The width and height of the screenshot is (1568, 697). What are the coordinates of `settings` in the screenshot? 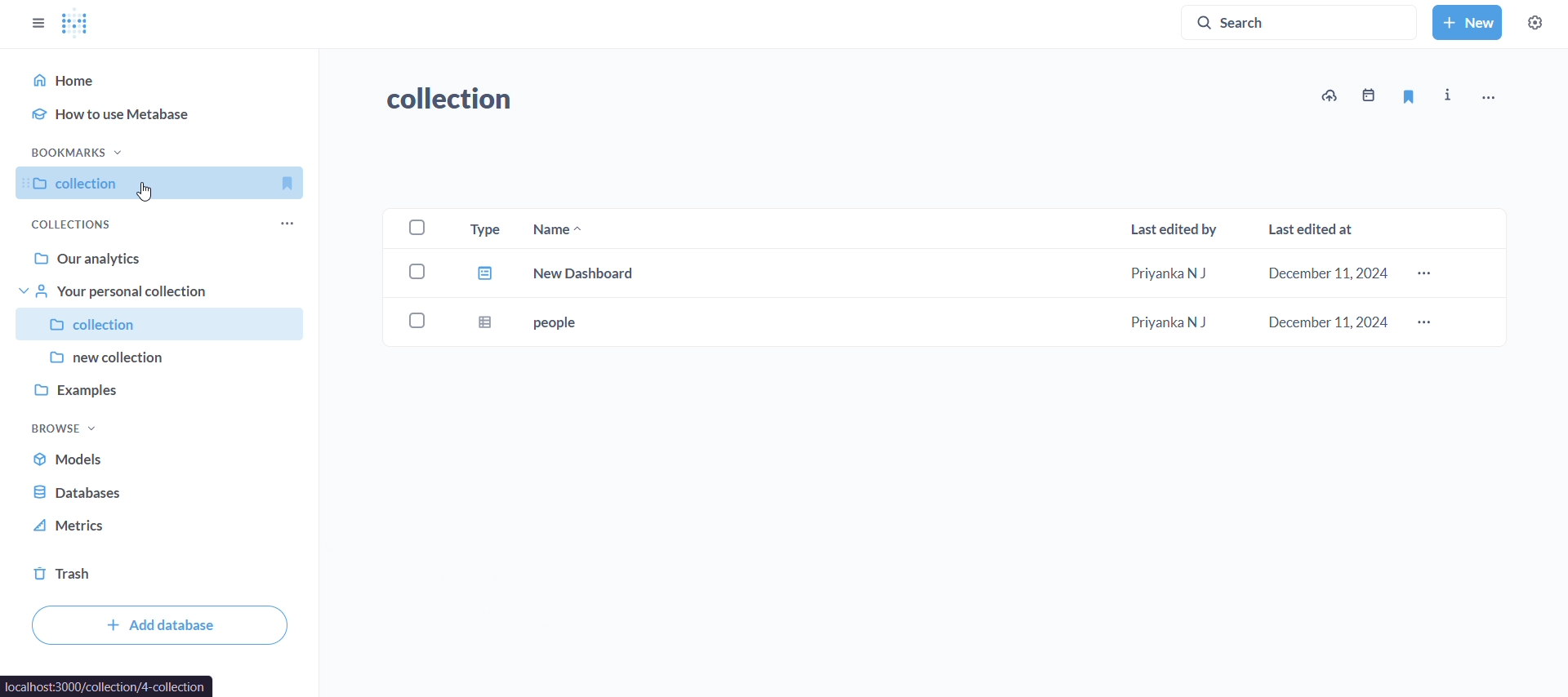 It's located at (1535, 24).